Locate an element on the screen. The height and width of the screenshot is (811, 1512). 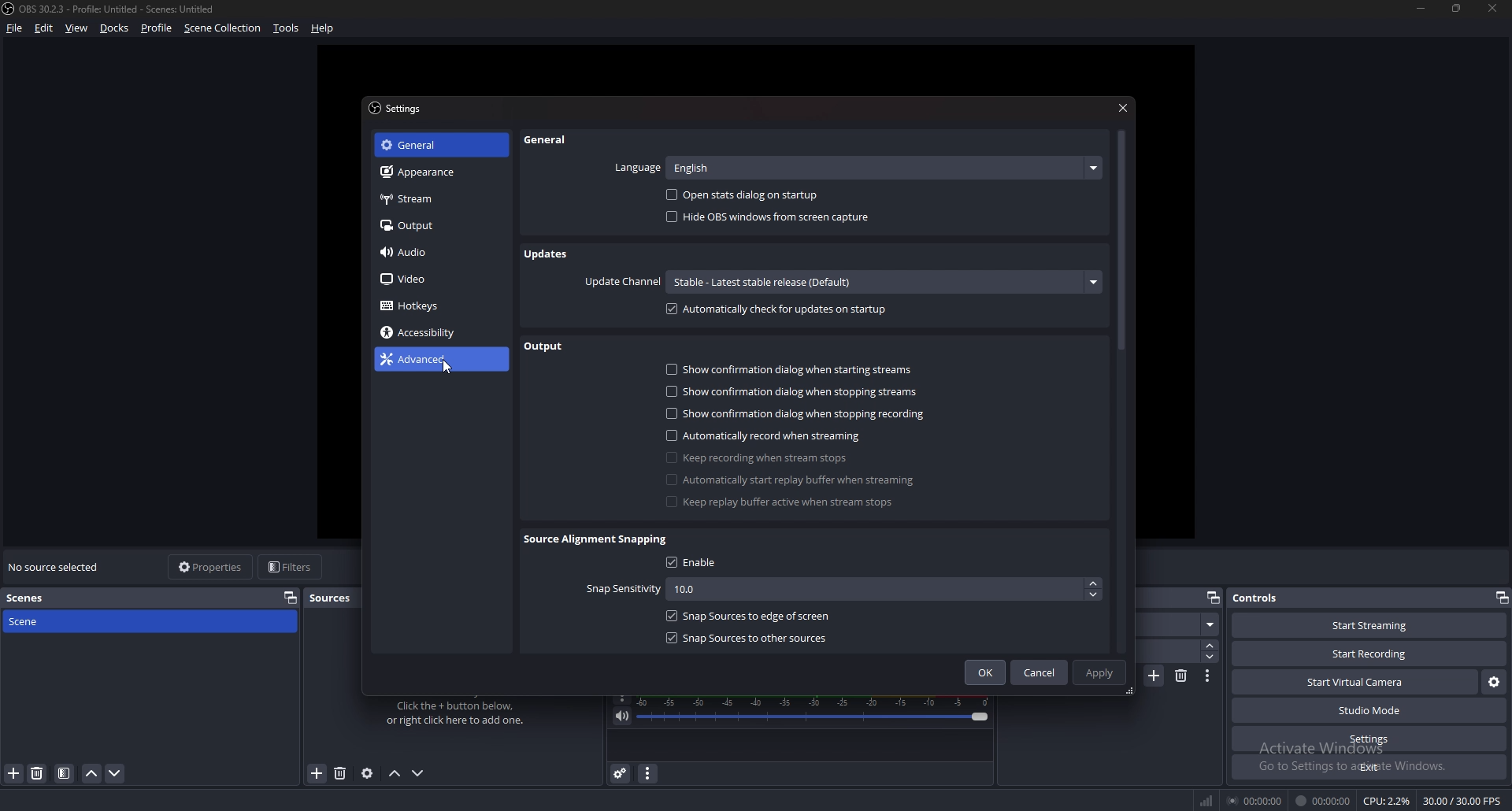
Automatically record when streaming is located at coordinates (766, 435).